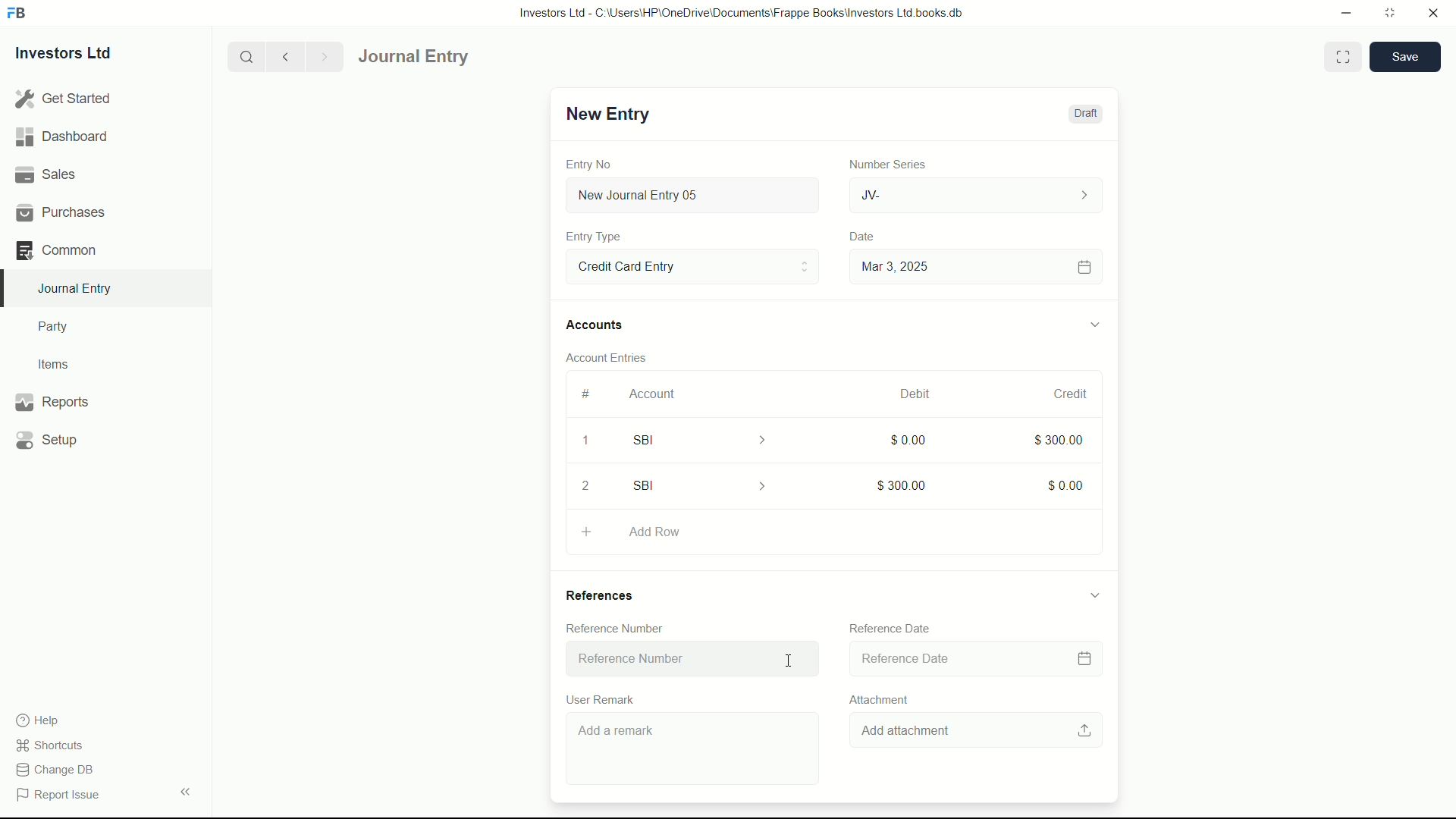 The height and width of the screenshot is (819, 1456). Describe the element at coordinates (686, 655) in the screenshot. I see `Reference Number` at that location.